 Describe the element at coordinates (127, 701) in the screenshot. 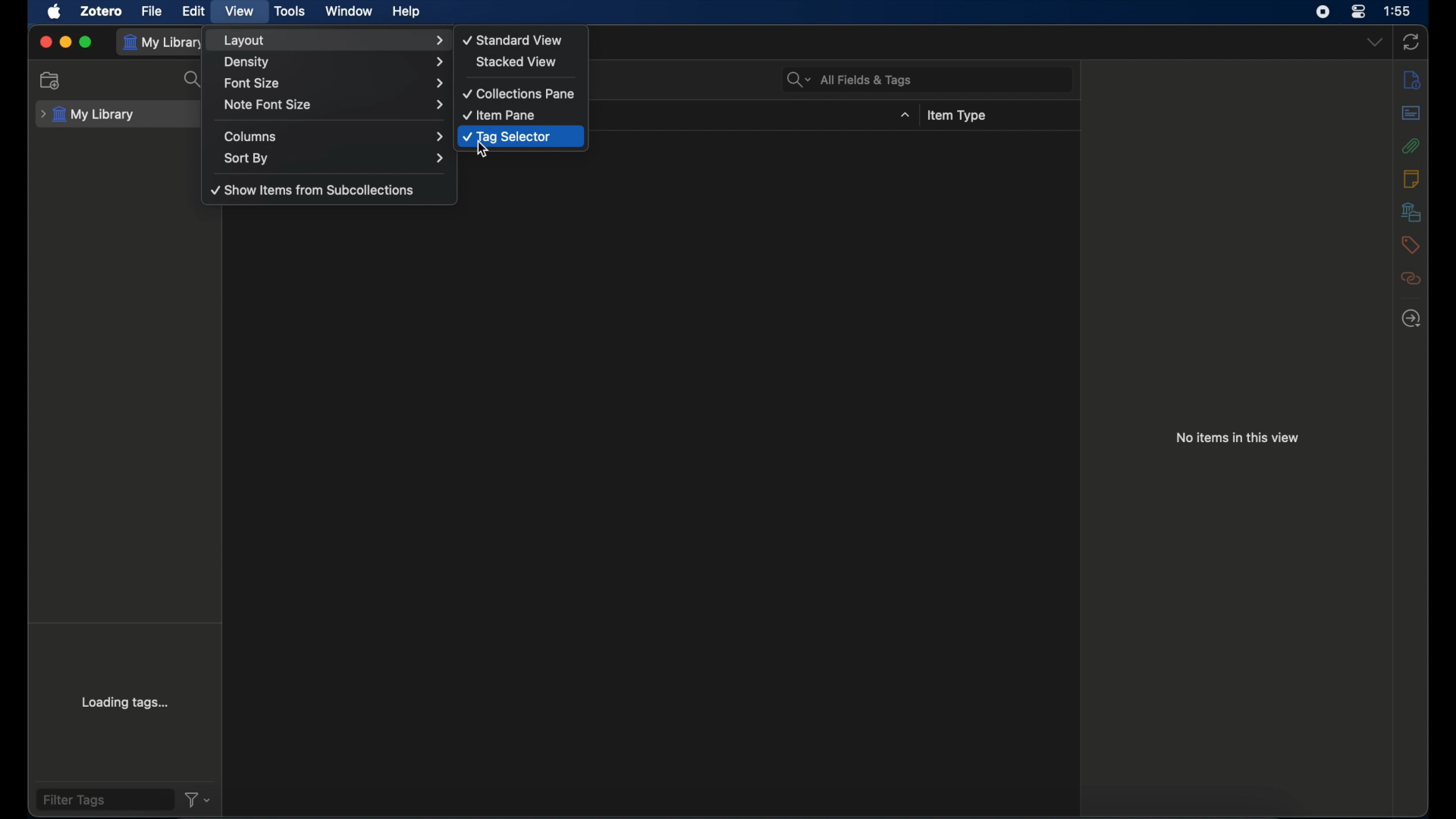

I see `loading tags` at that location.